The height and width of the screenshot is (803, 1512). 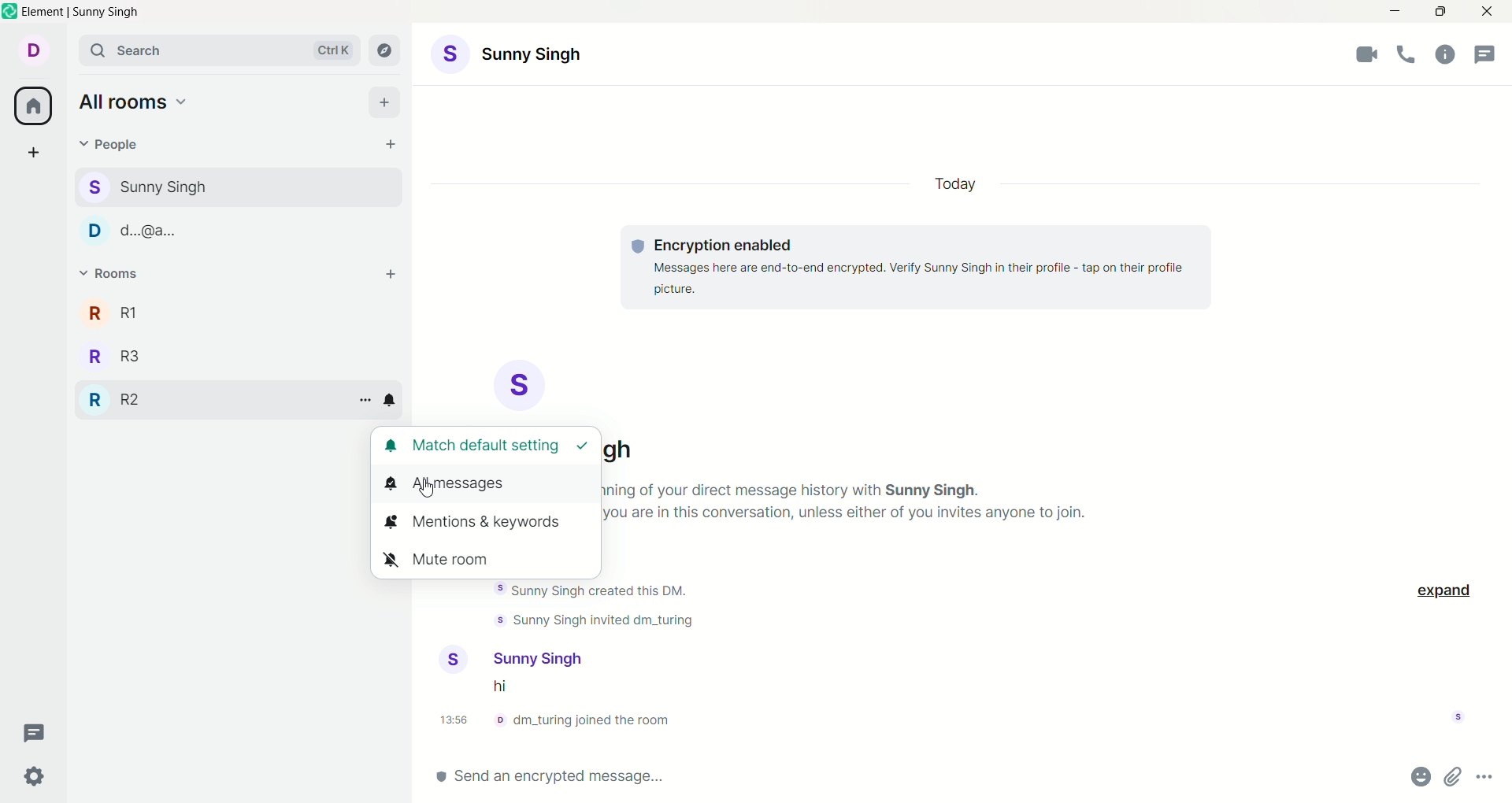 What do you see at coordinates (1445, 54) in the screenshot?
I see `room info` at bounding box center [1445, 54].